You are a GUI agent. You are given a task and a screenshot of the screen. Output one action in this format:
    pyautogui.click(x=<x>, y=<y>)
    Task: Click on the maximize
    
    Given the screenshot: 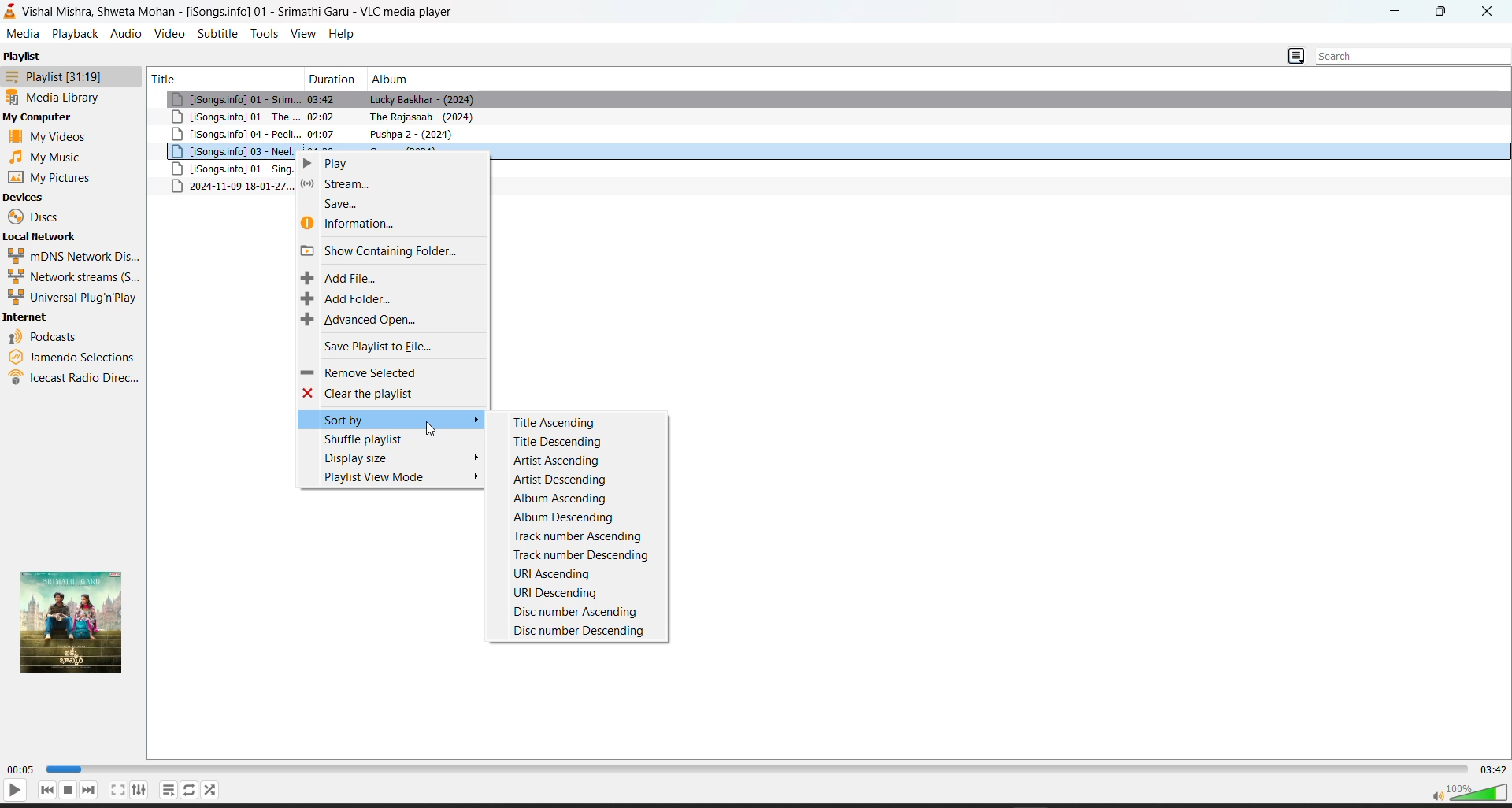 What is the action you would take?
    pyautogui.click(x=1443, y=12)
    